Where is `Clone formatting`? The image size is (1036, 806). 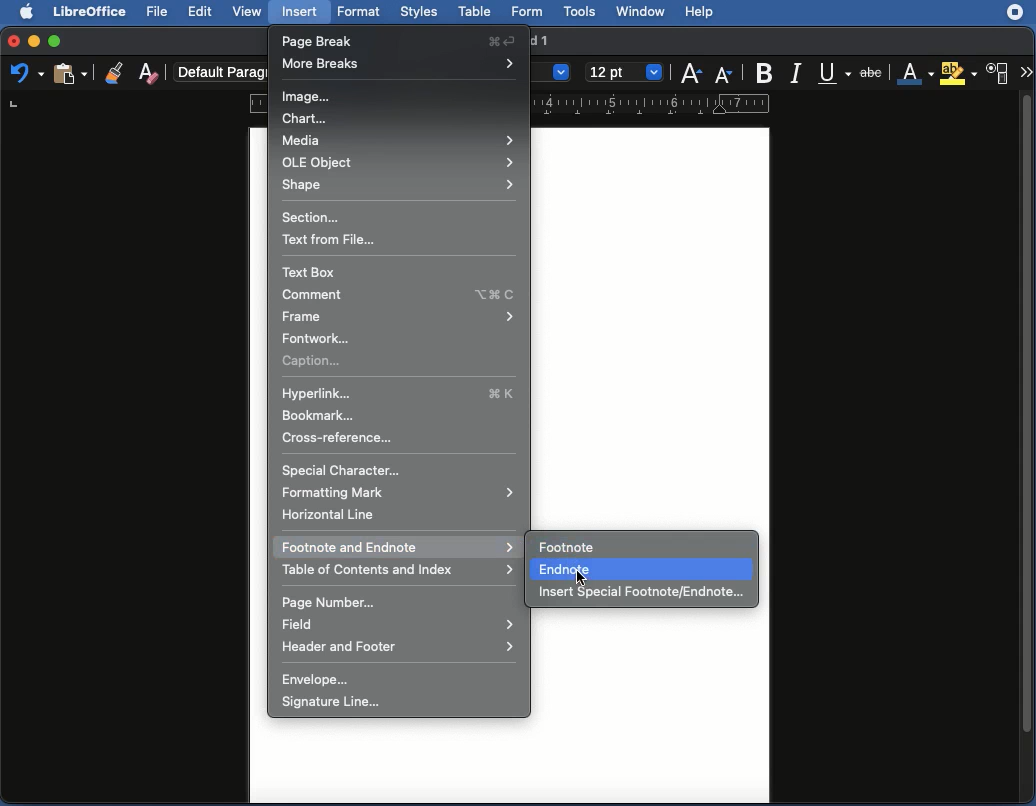
Clone formatting is located at coordinates (115, 70).